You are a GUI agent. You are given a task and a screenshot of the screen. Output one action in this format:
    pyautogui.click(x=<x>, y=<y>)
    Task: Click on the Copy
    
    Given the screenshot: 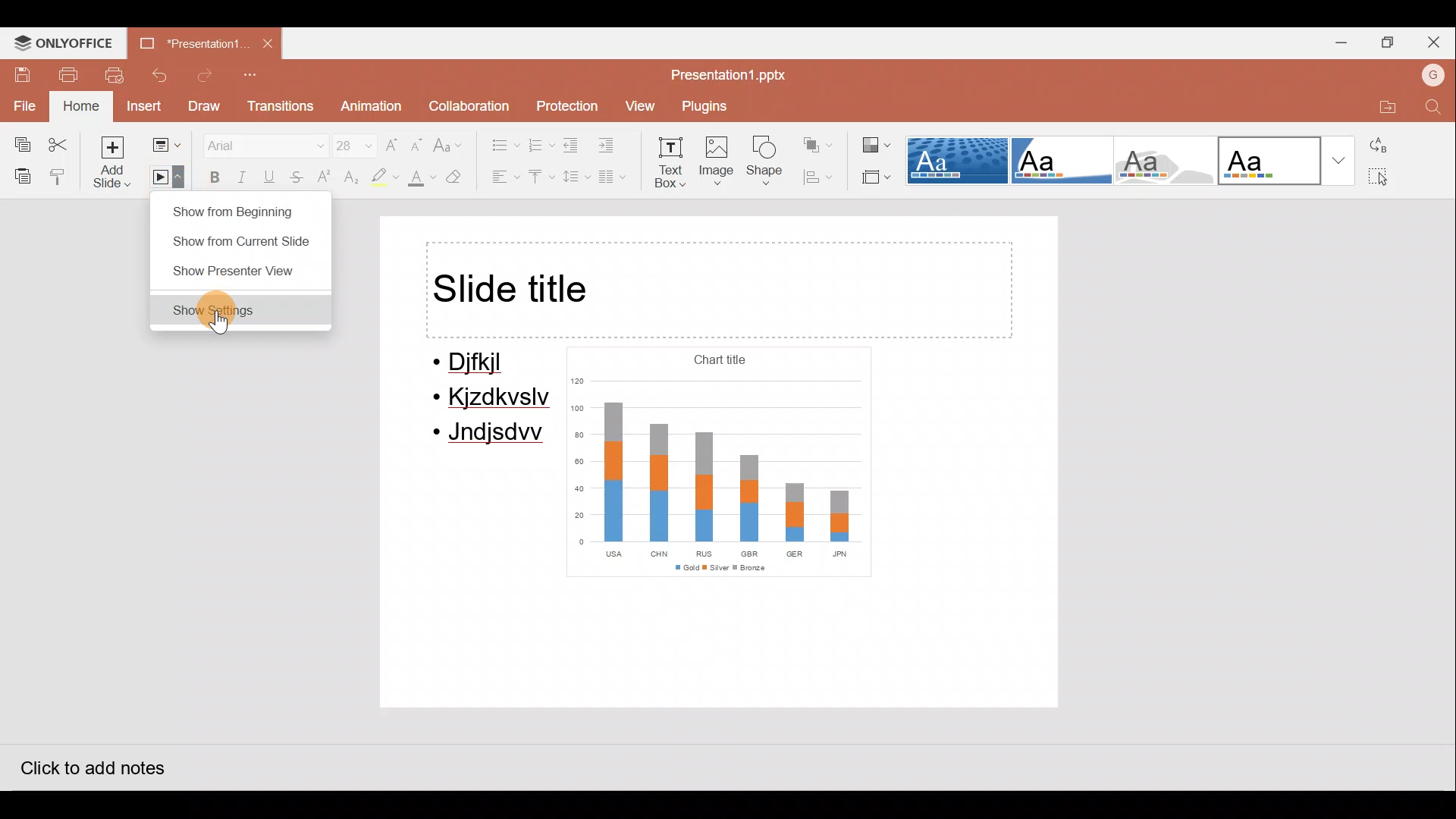 What is the action you would take?
    pyautogui.click(x=21, y=145)
    